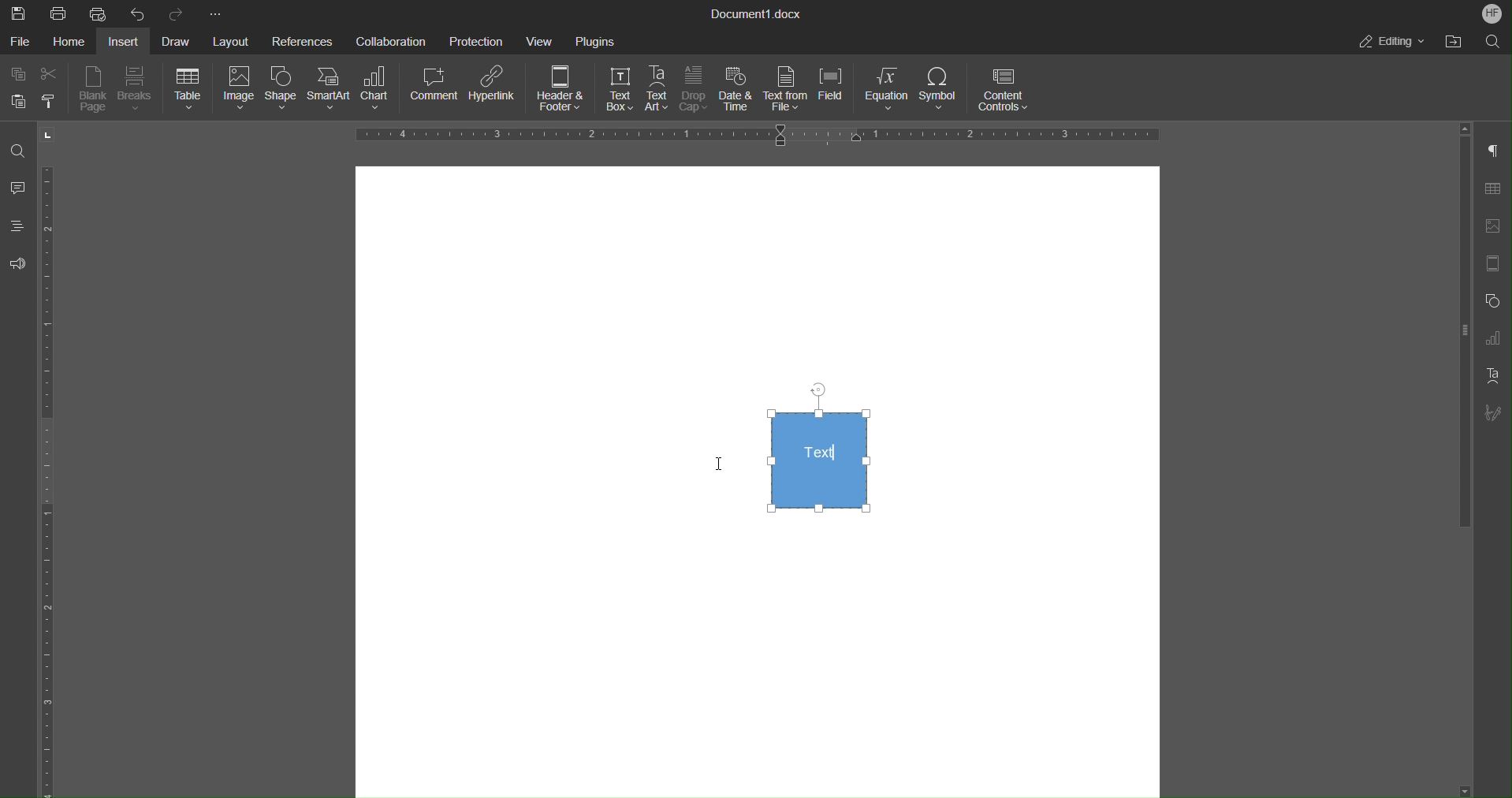 The image size is (1512, 798). Describe the element at coordinates (214, 12) in the screenshot. I see `More` at that location.